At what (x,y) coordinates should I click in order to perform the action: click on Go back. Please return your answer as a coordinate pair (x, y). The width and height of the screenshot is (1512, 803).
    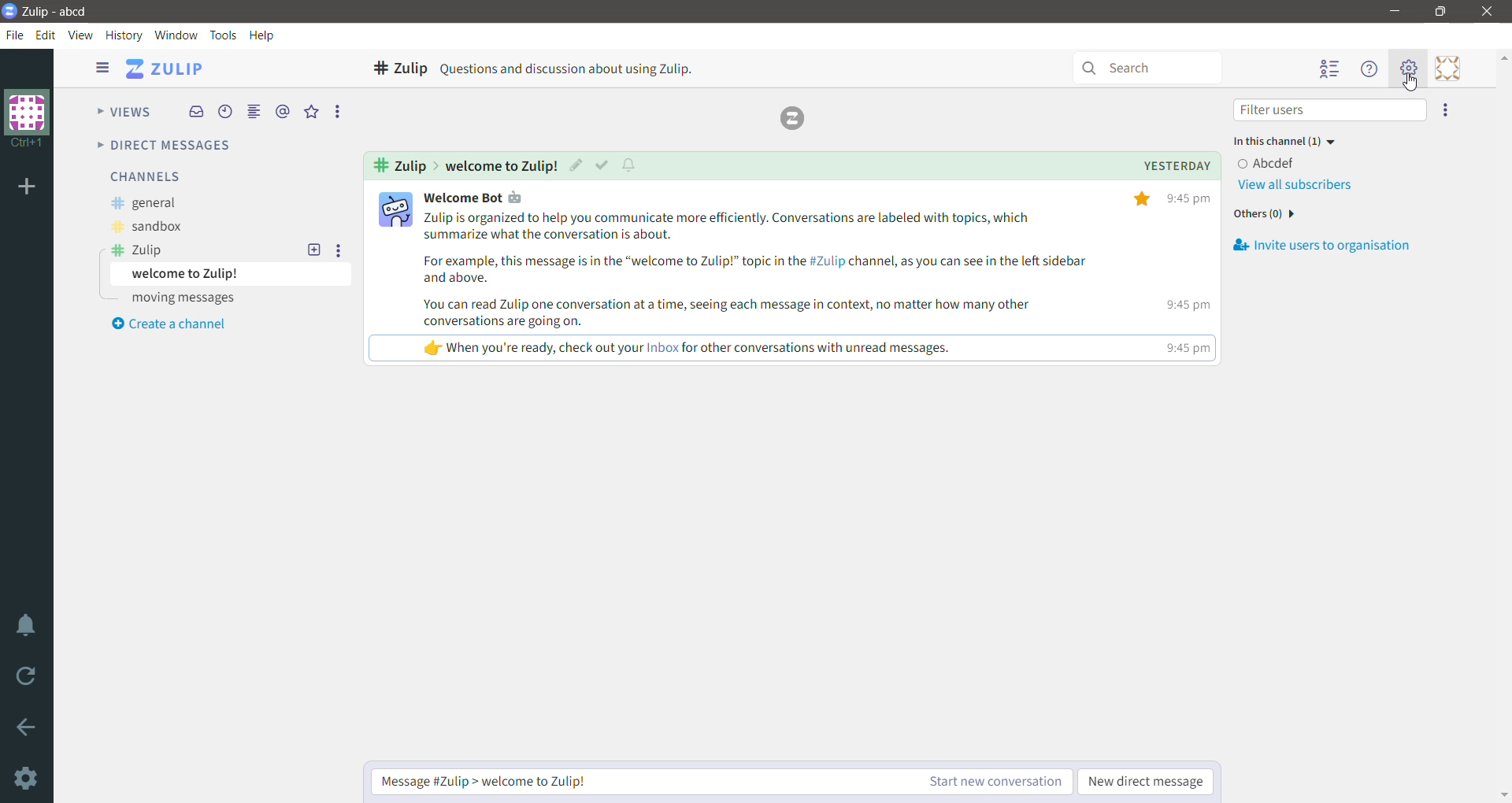
    Looking at the image, I should click on (28, 730).